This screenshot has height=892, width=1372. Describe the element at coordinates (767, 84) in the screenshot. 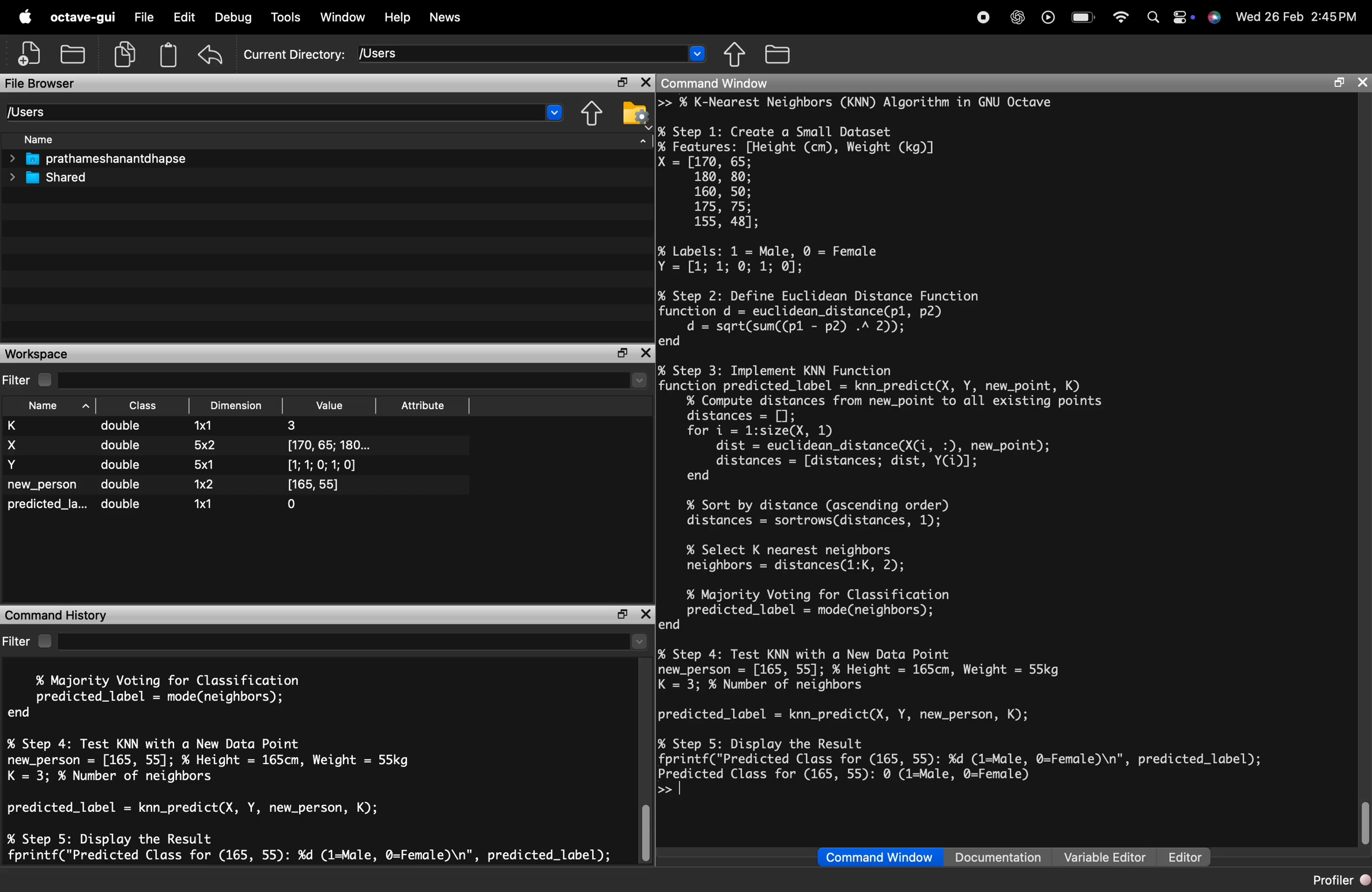

I see `Command Window` at that location.